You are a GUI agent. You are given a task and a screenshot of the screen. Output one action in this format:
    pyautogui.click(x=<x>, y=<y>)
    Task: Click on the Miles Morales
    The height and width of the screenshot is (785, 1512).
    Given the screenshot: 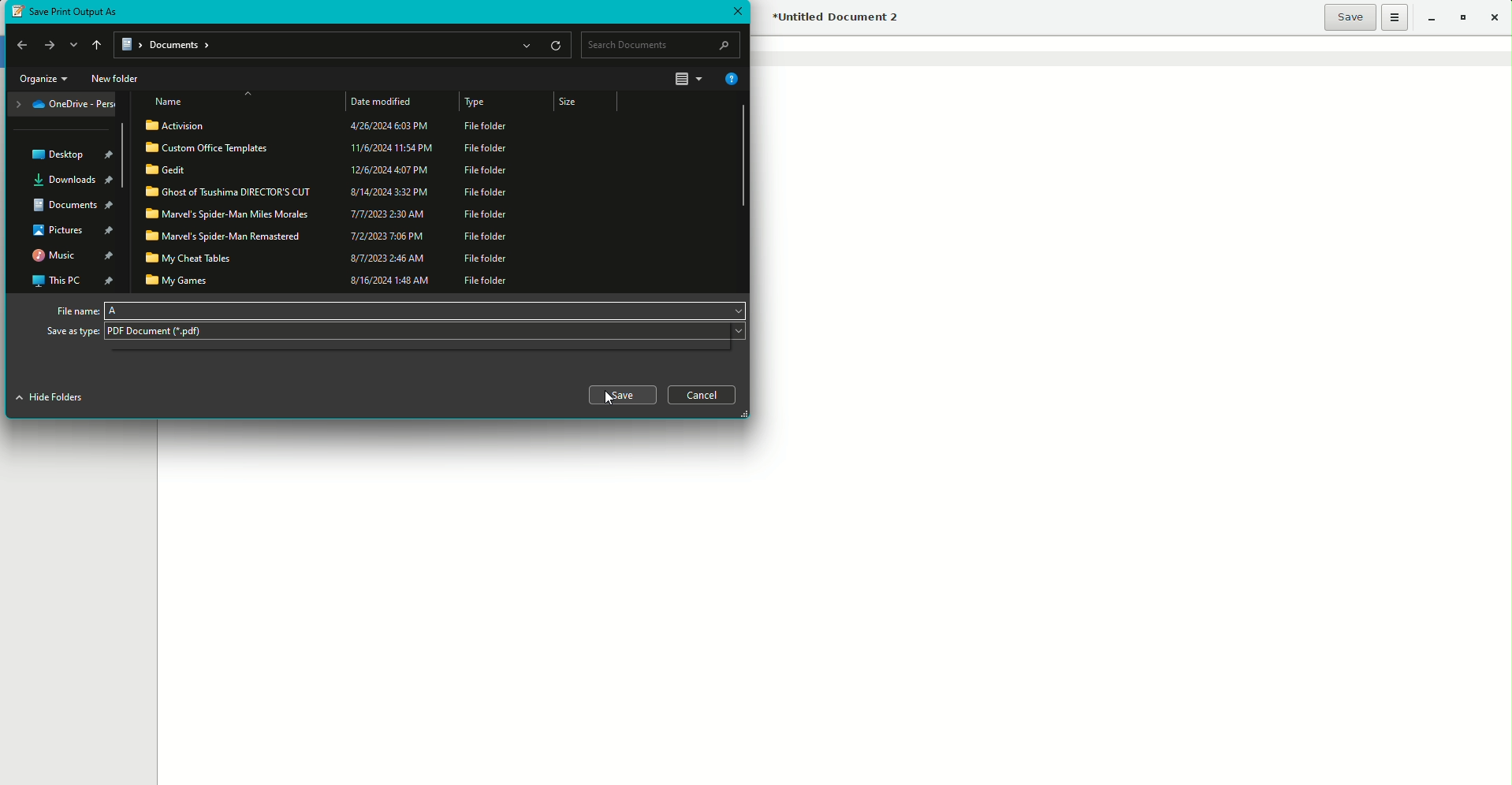 What is the action you would take?
    pyautogui.click(x=330, y=214)
    